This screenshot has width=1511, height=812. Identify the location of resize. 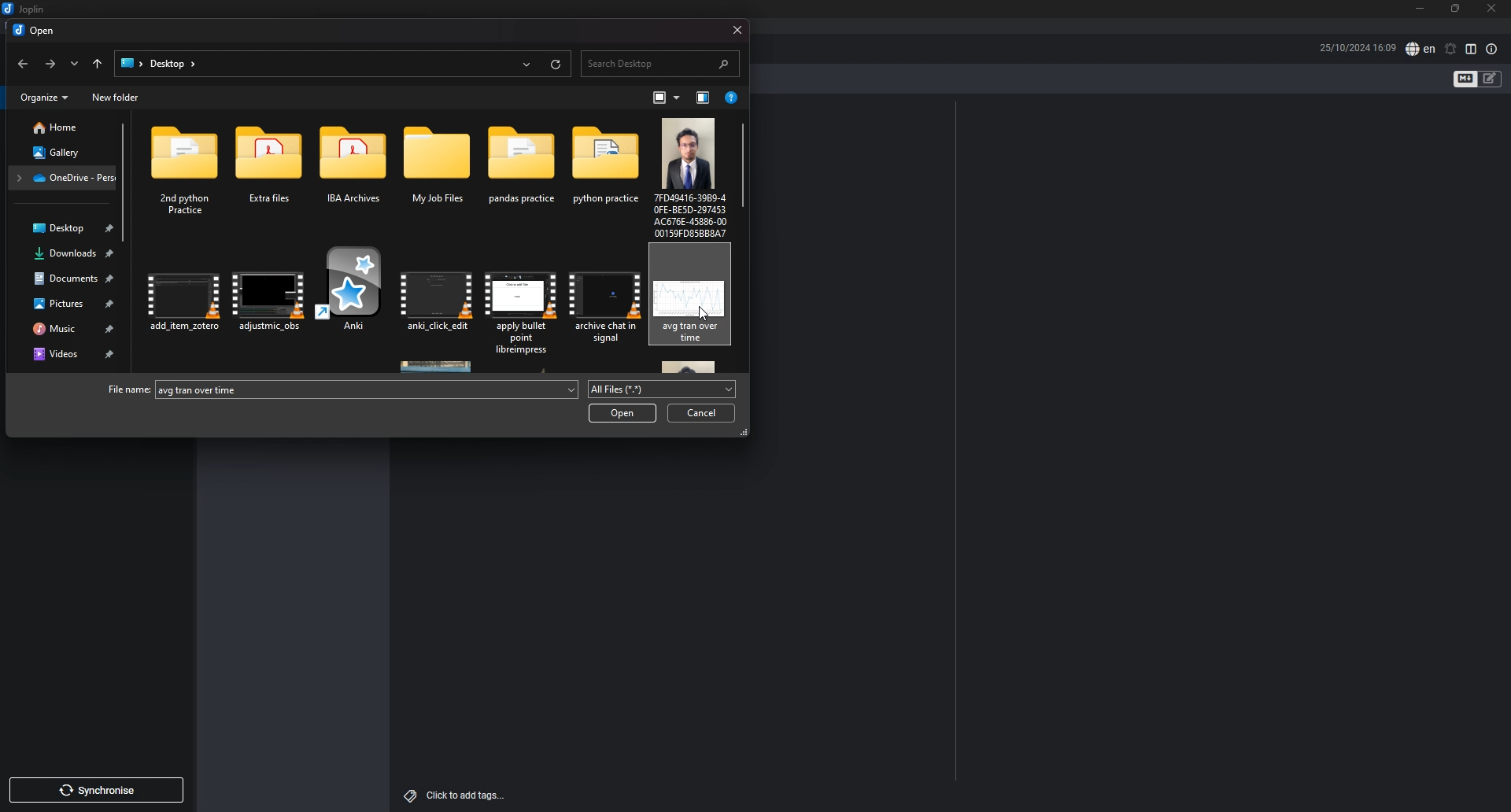
(1456, 9).